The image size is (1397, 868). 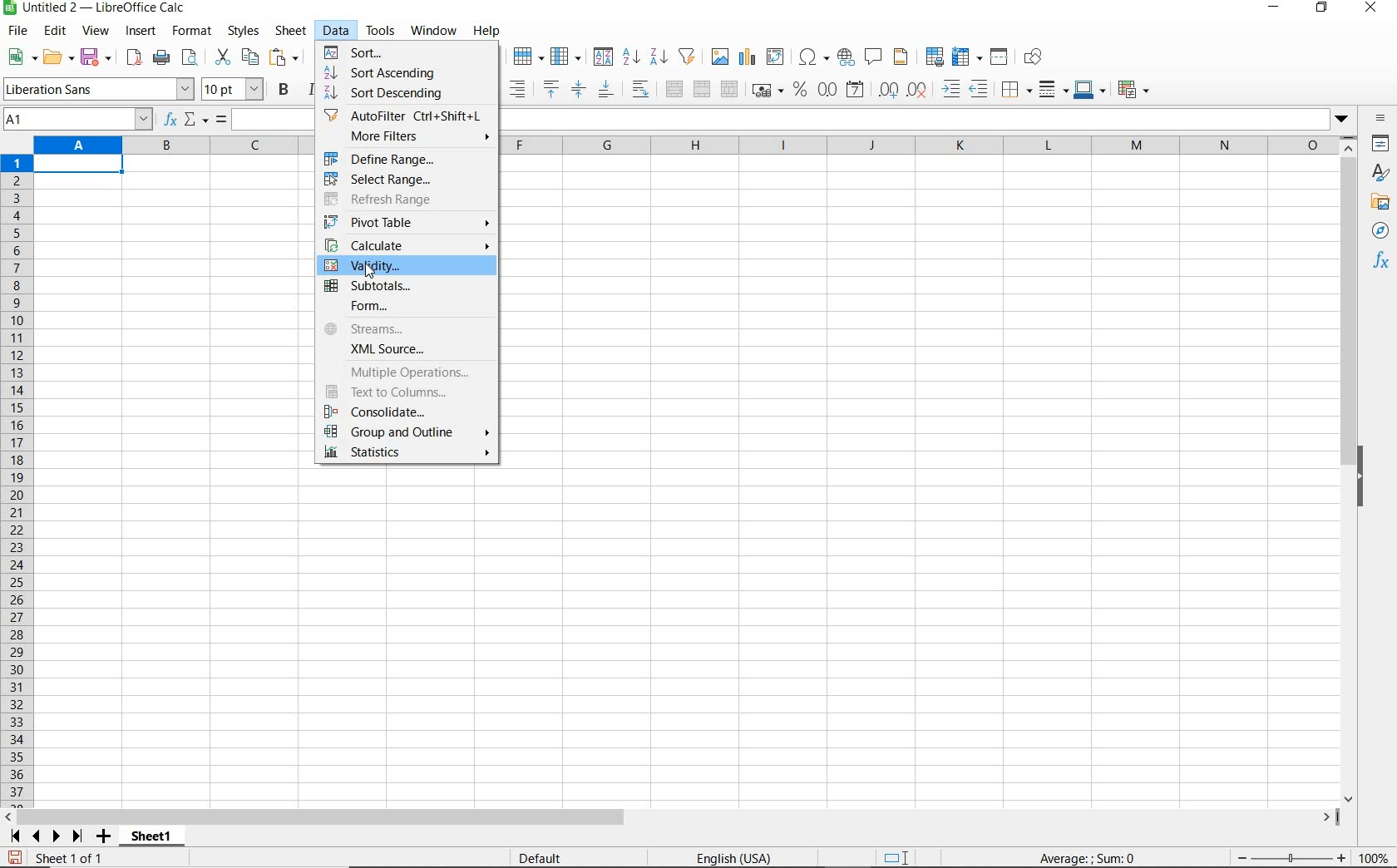 What do you see at coordinates (95, 9) in the screenshot?
I see `file name` at bounding box center [95, 9].